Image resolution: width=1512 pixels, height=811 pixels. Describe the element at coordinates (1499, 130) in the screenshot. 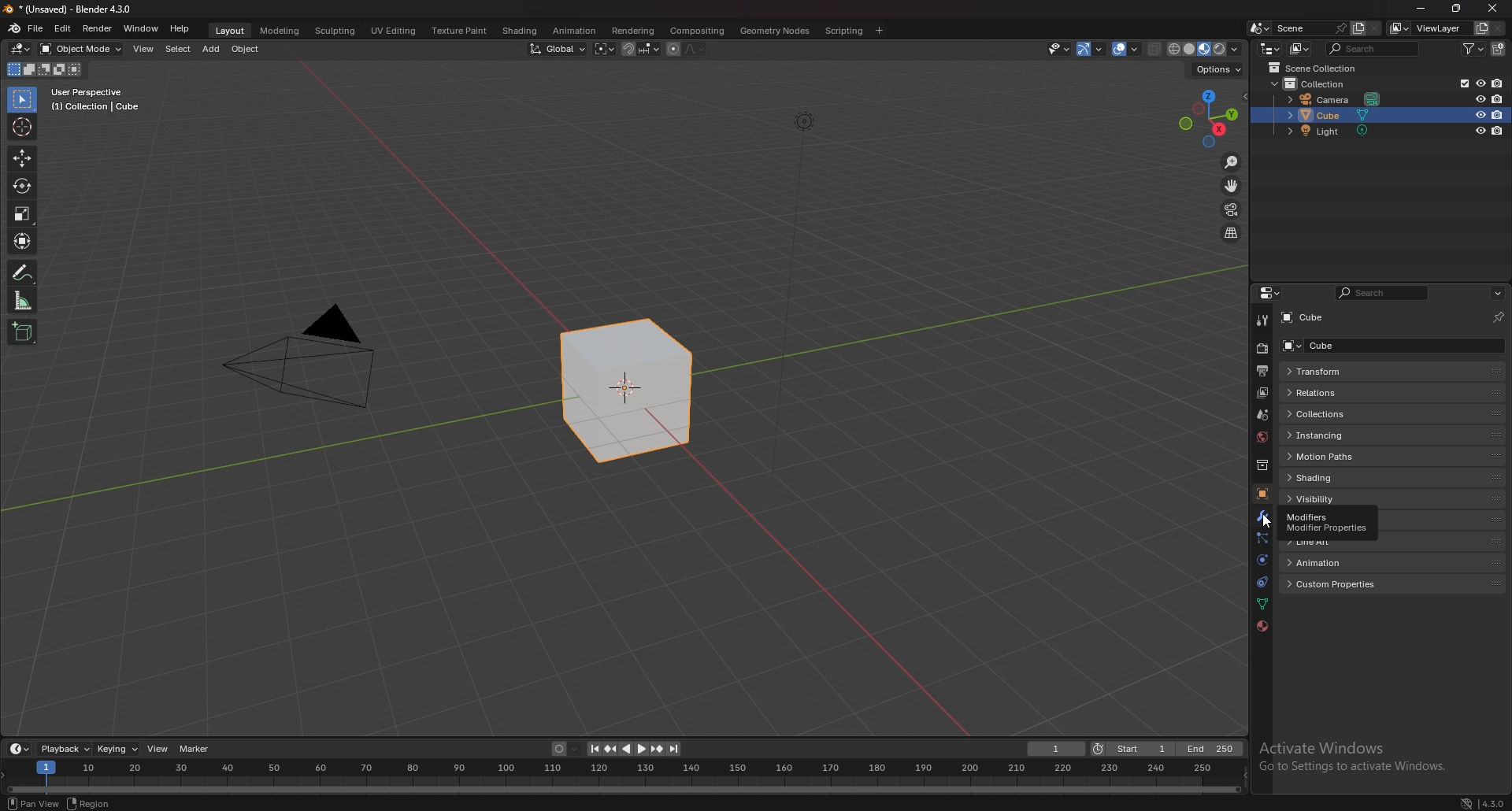

I see `disable in renders` at that location.